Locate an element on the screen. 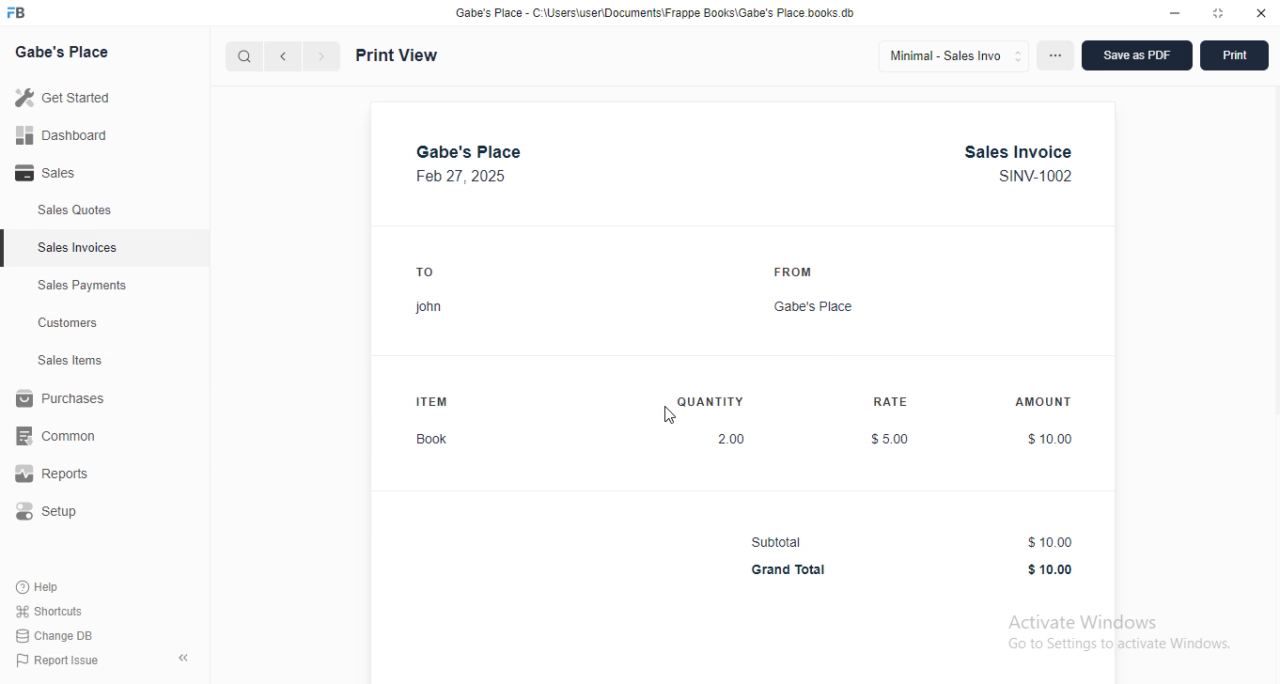 Image resolution: width=1280 pixels, height=684 pixels. $10.00 is located at coordinates (1051, 542).